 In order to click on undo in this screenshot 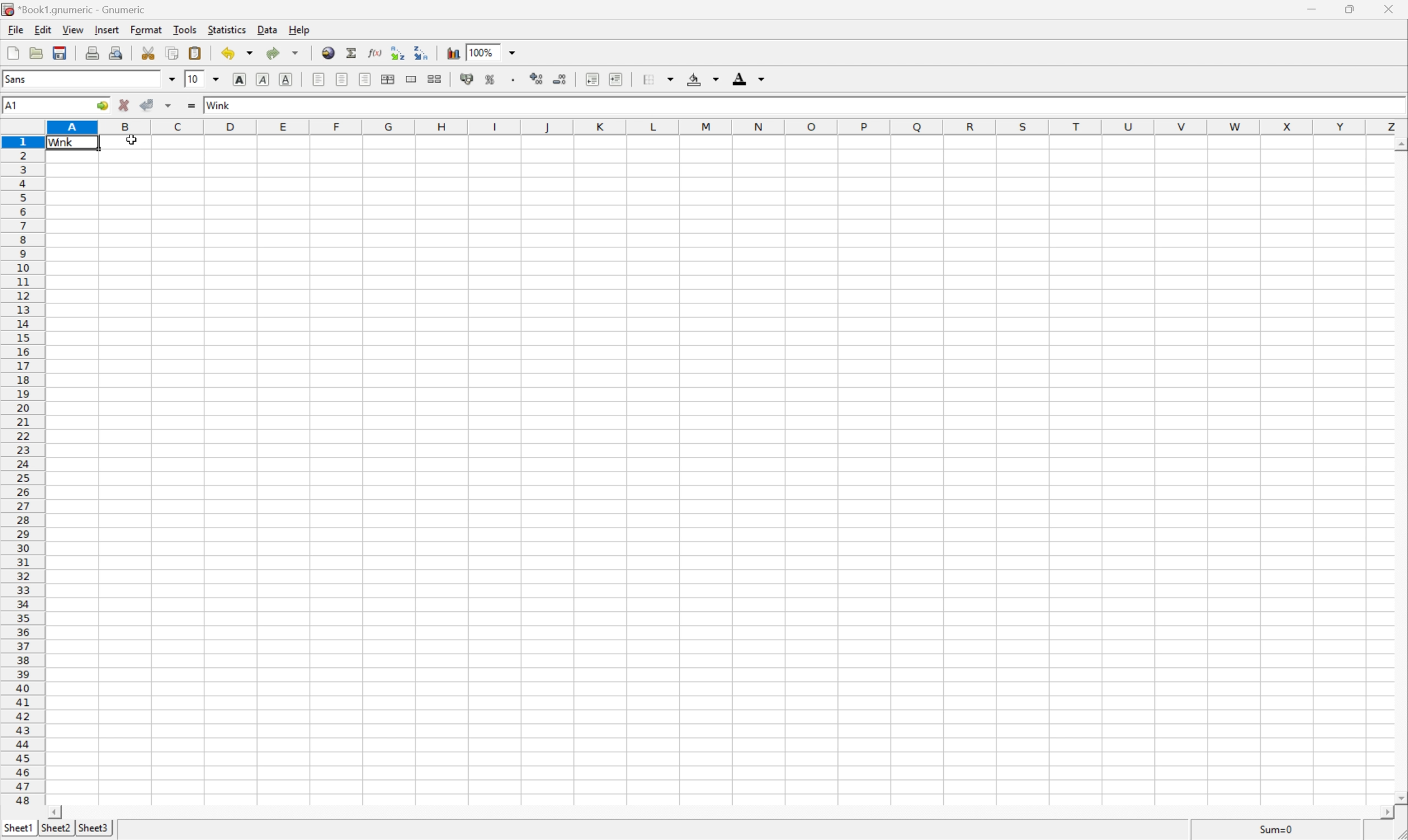, I will do `click(236, 54)`.